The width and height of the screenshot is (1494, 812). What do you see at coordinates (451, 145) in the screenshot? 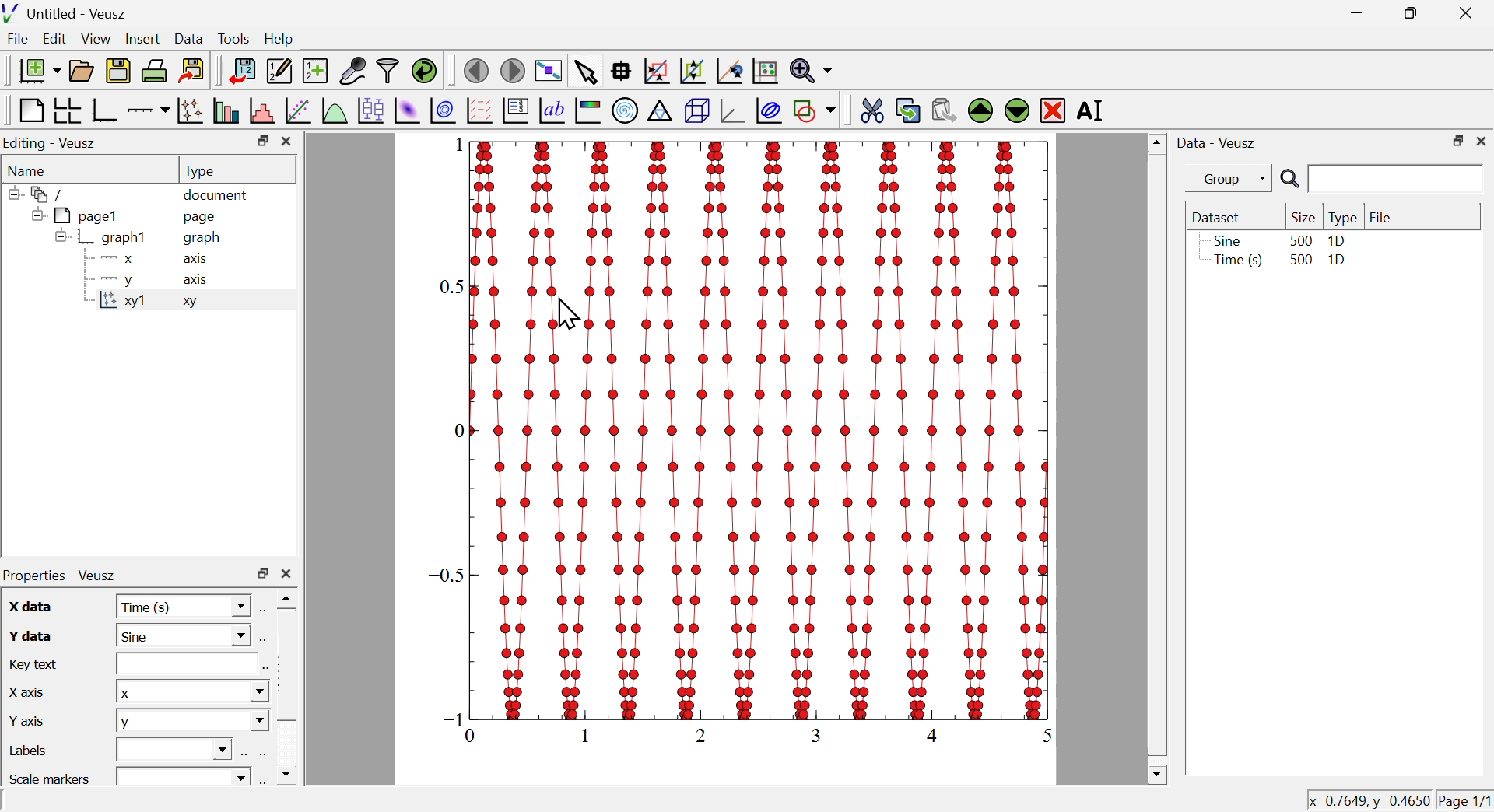
I see `1` at bounding box center [451, 145].